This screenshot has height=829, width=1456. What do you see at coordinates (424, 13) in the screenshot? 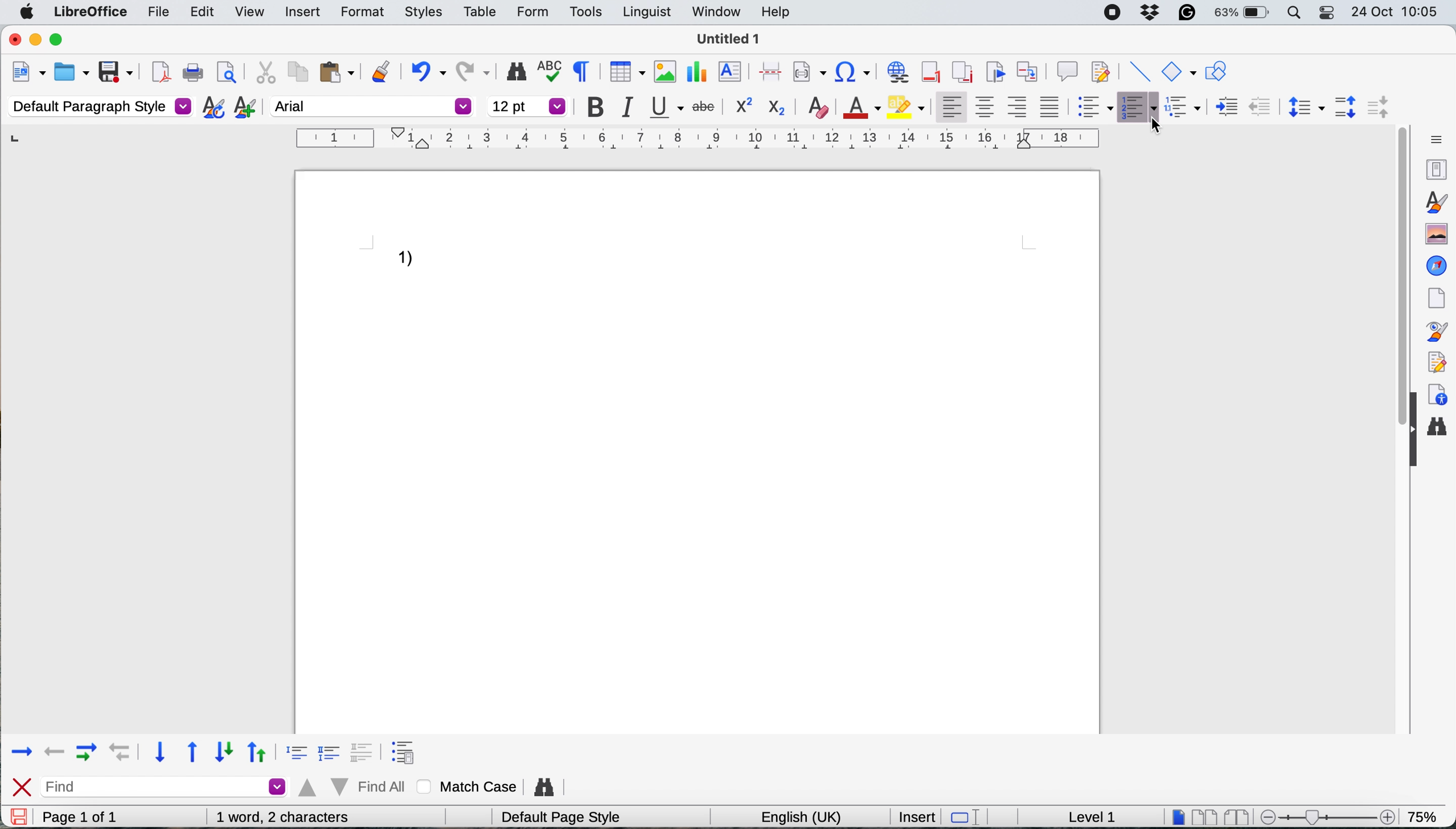
I see `styles` at bounding box center [424, 13].